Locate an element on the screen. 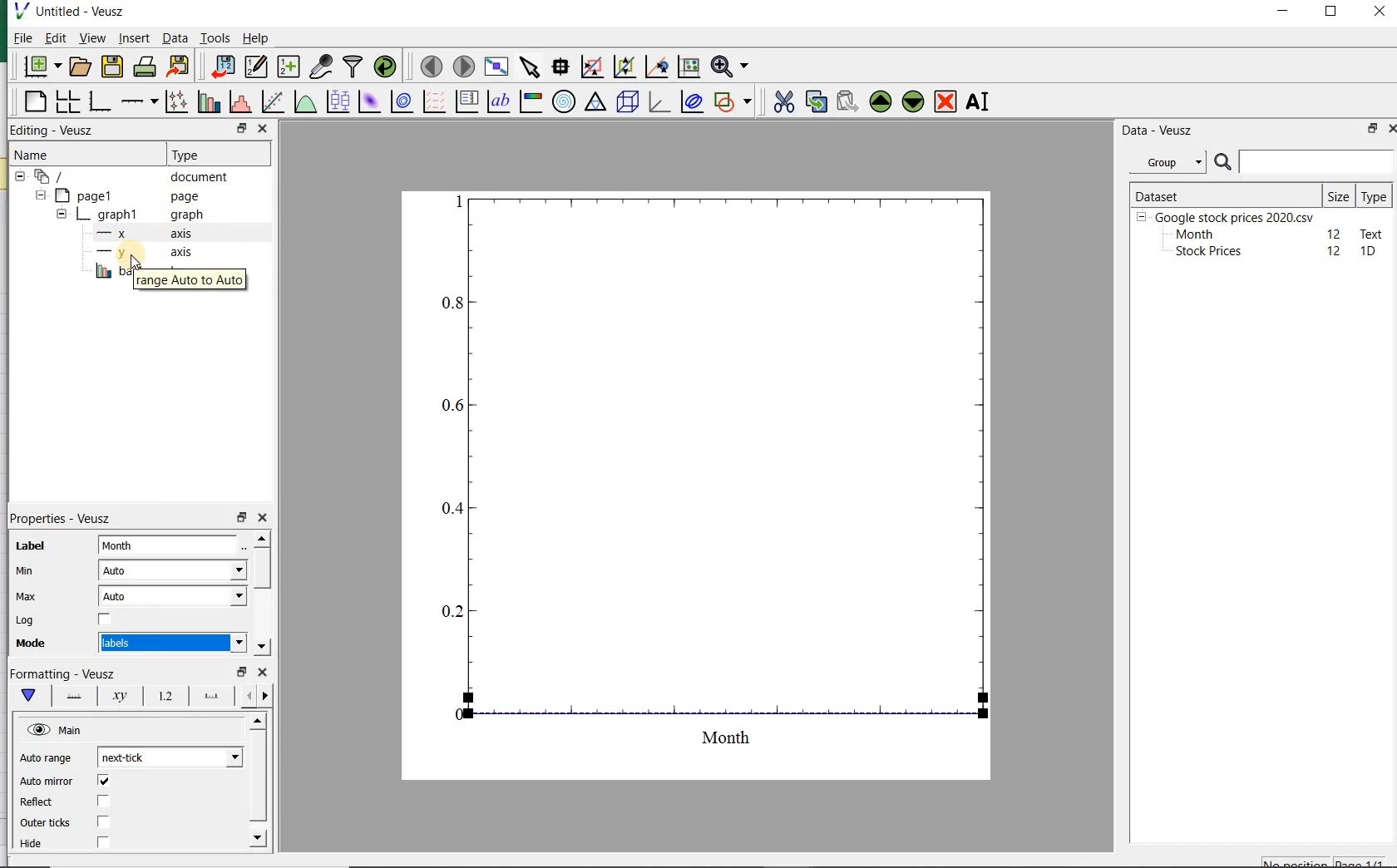 This screenshot has height=868, width=1397. Google stock prices 2020.csv is located at coordinates (1228, 216).